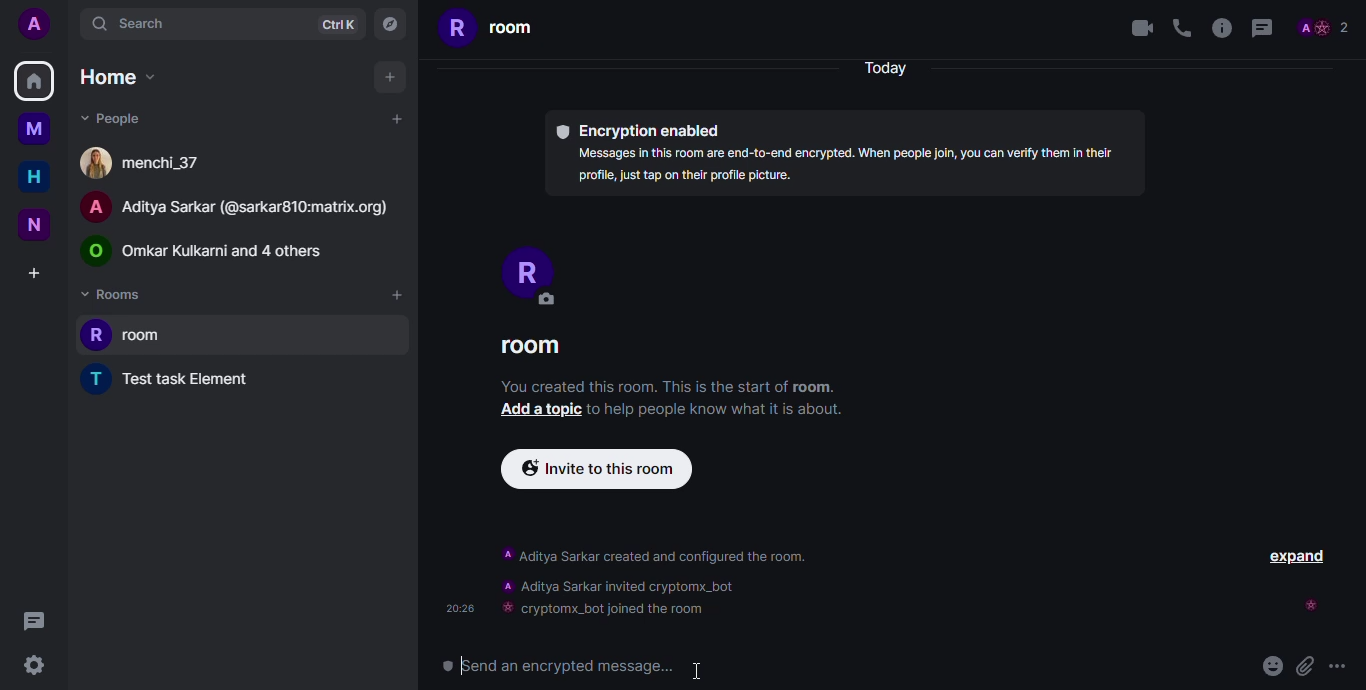  What do you see at coordinates (676, 557) in the screenshot?
I see `Aditya Sarkar created and configured the room.` at bounding box center [676, 557].